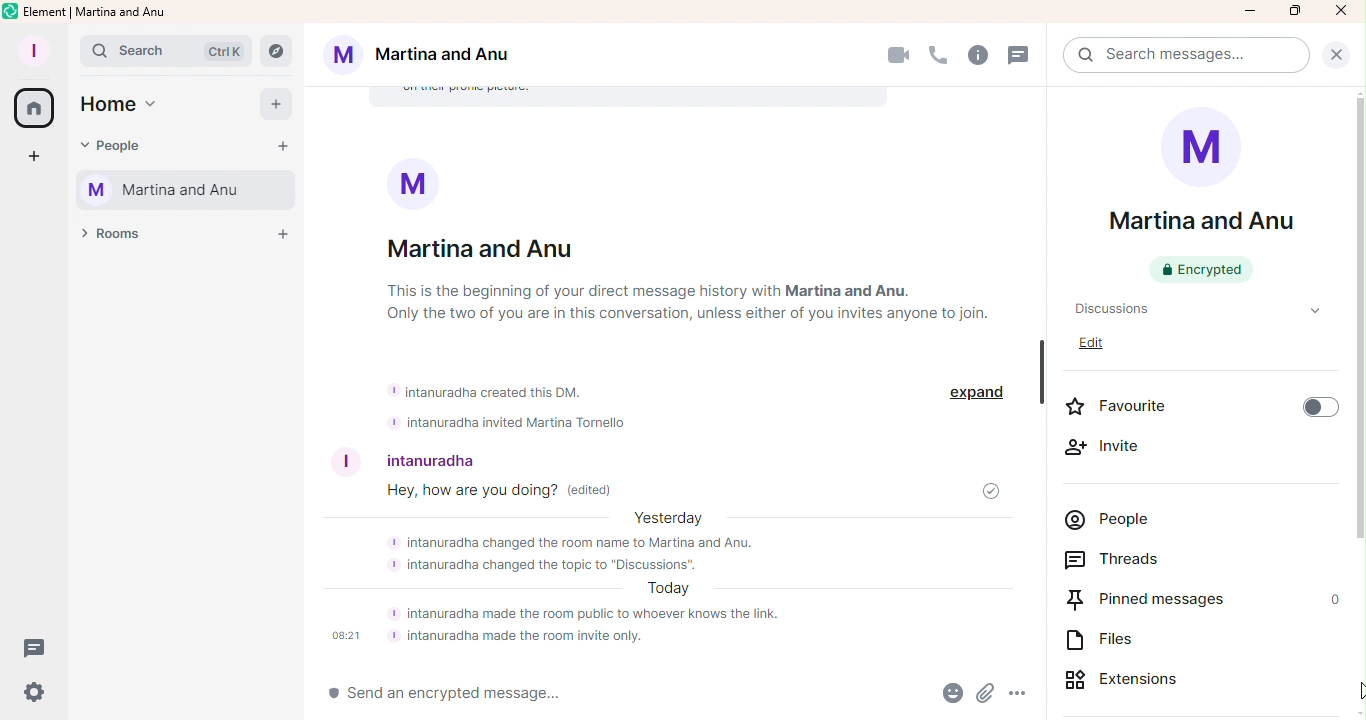  I want to click on Video call, so click(897, 55).